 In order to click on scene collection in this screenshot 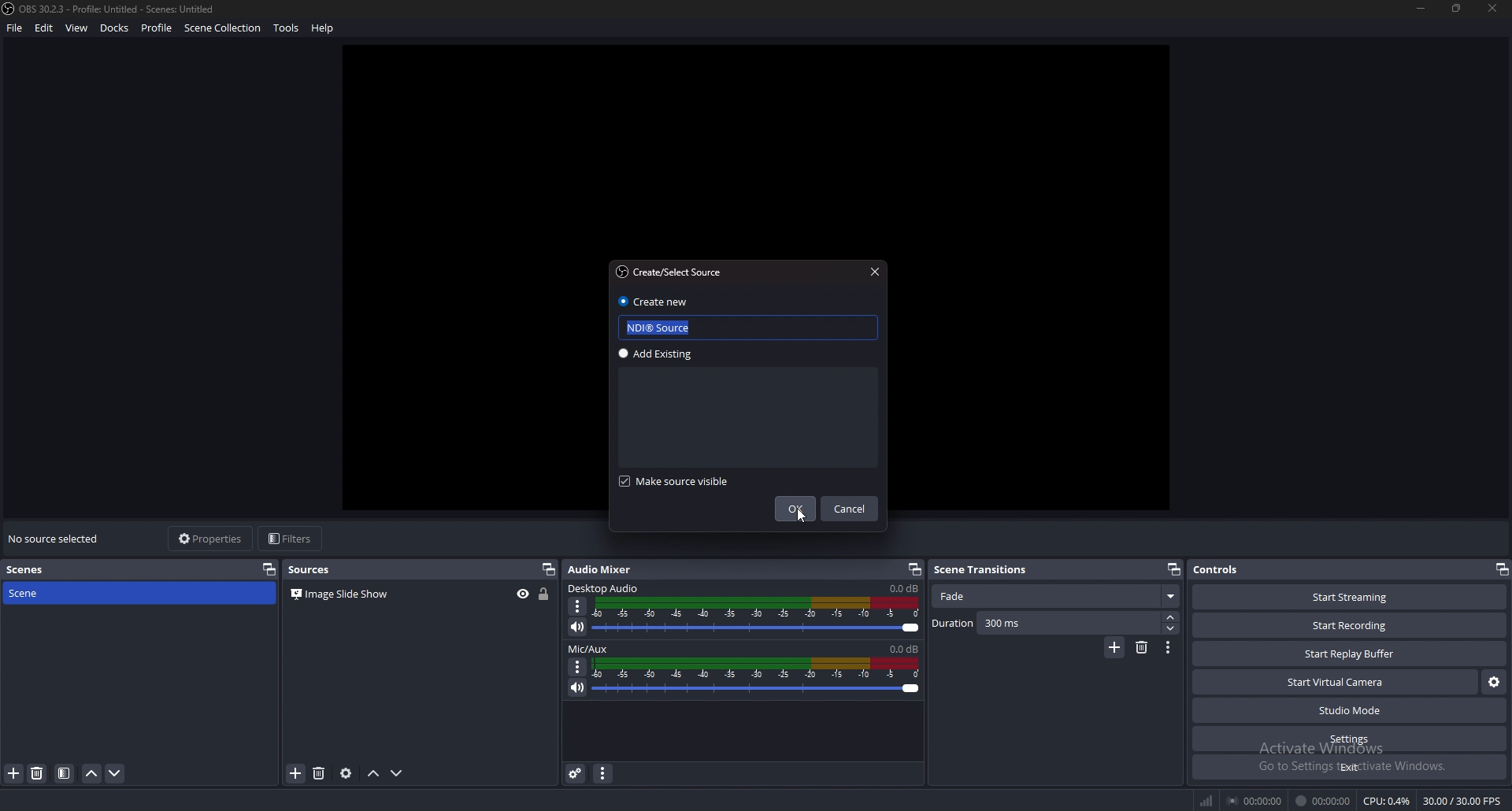, I will do `click(224, 27)`.